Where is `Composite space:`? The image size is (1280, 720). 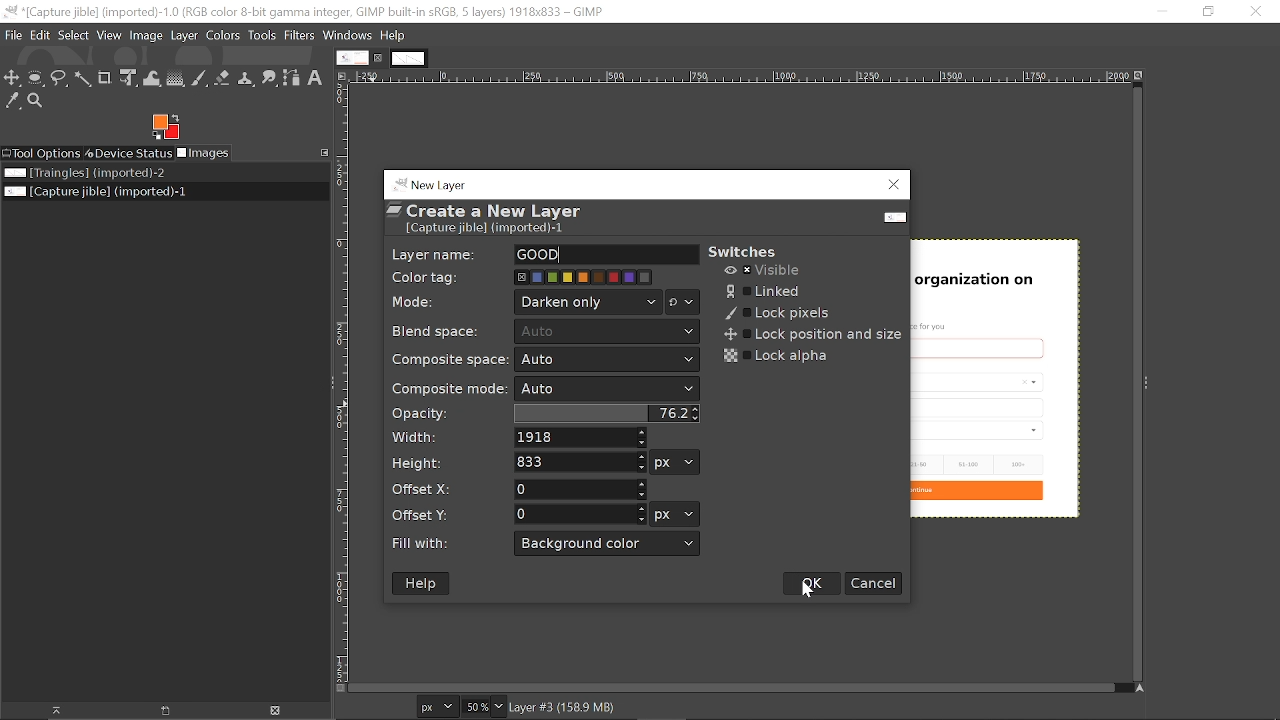
Composite space: is located at coordinates (451, 358).